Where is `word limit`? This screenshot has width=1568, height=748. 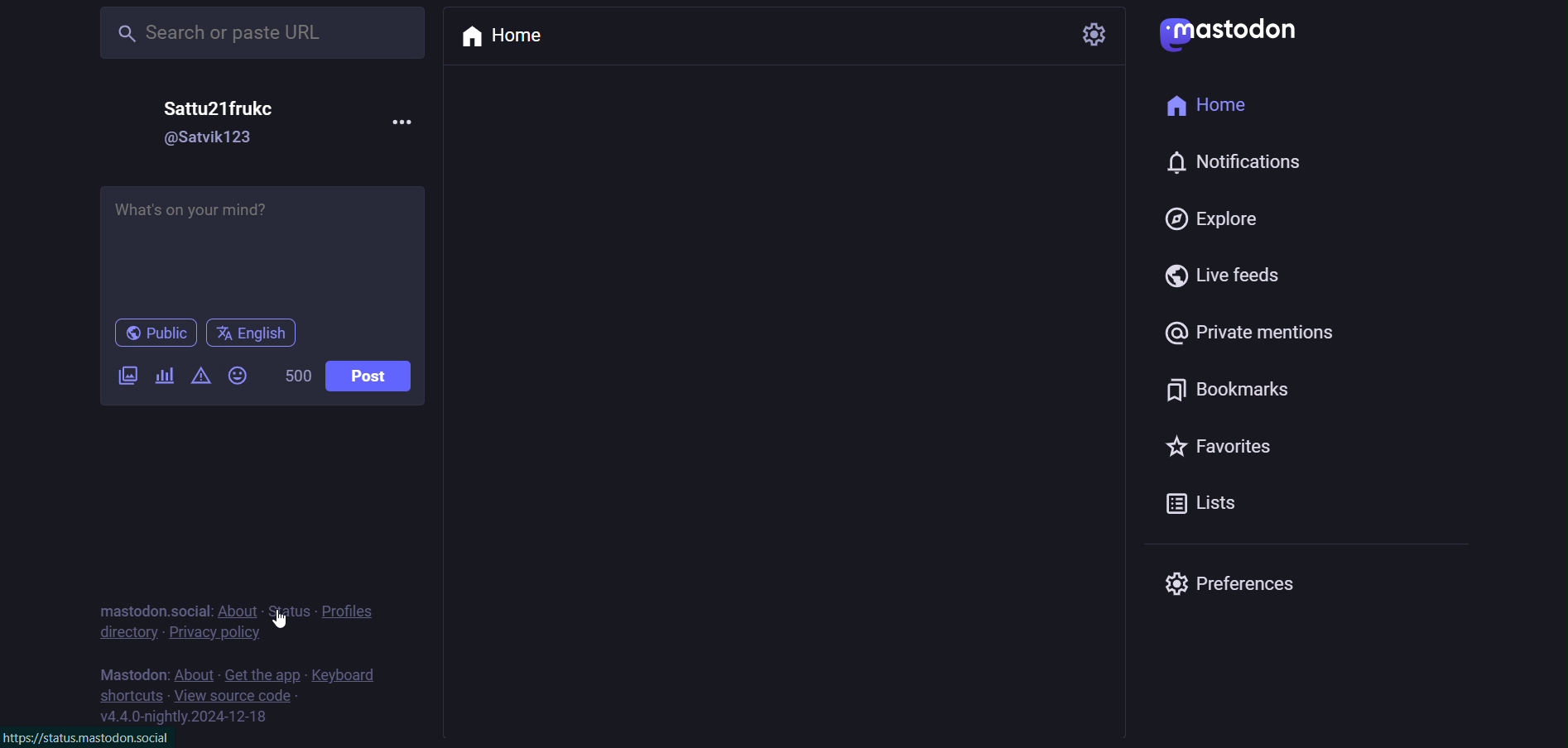
word limit is located at coordinates (298, 376).